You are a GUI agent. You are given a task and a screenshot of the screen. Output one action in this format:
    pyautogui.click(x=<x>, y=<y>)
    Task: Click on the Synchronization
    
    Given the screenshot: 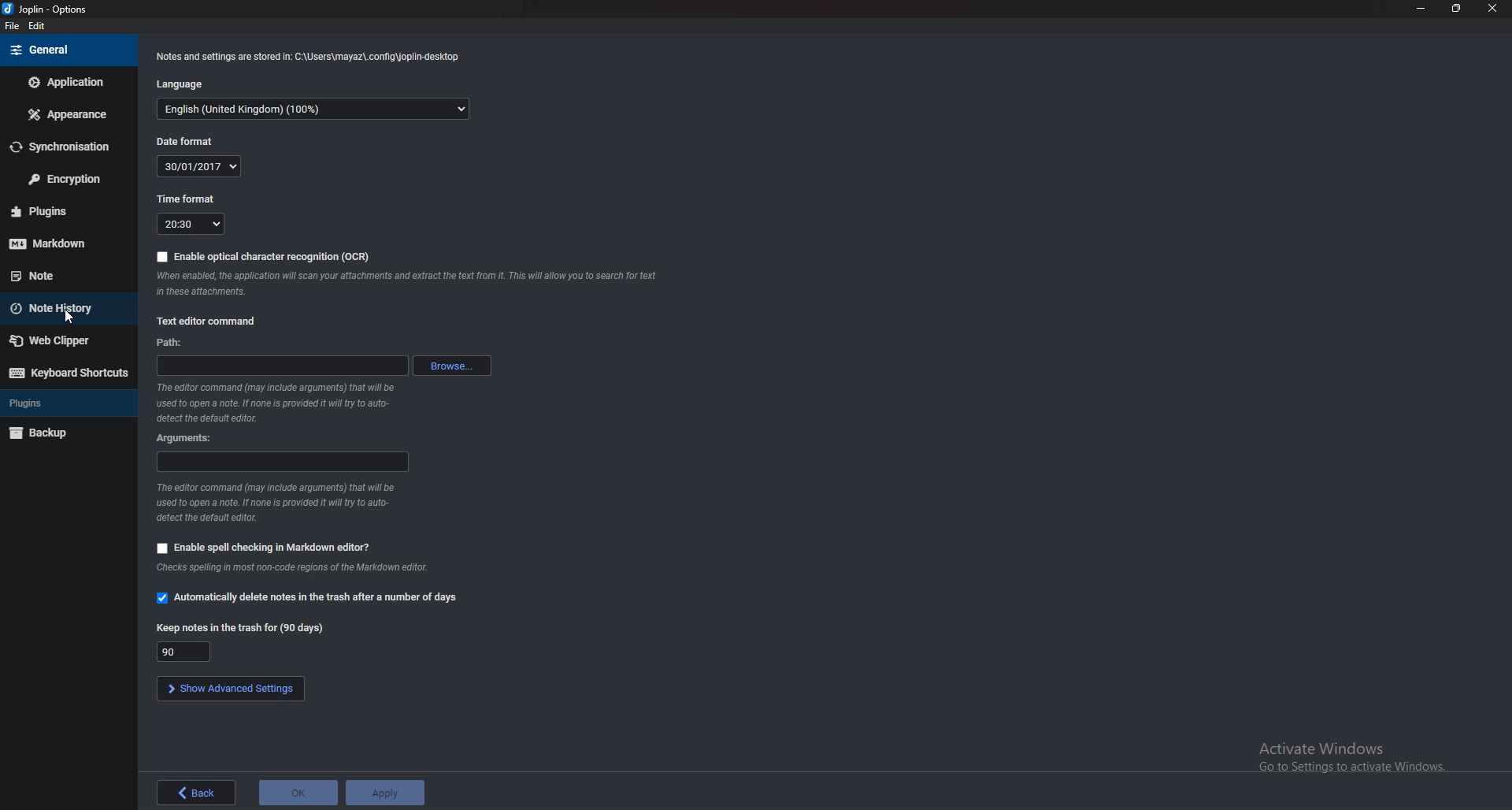 What is the action you would take?
    pyautogui.click(x=66, y=147)
    